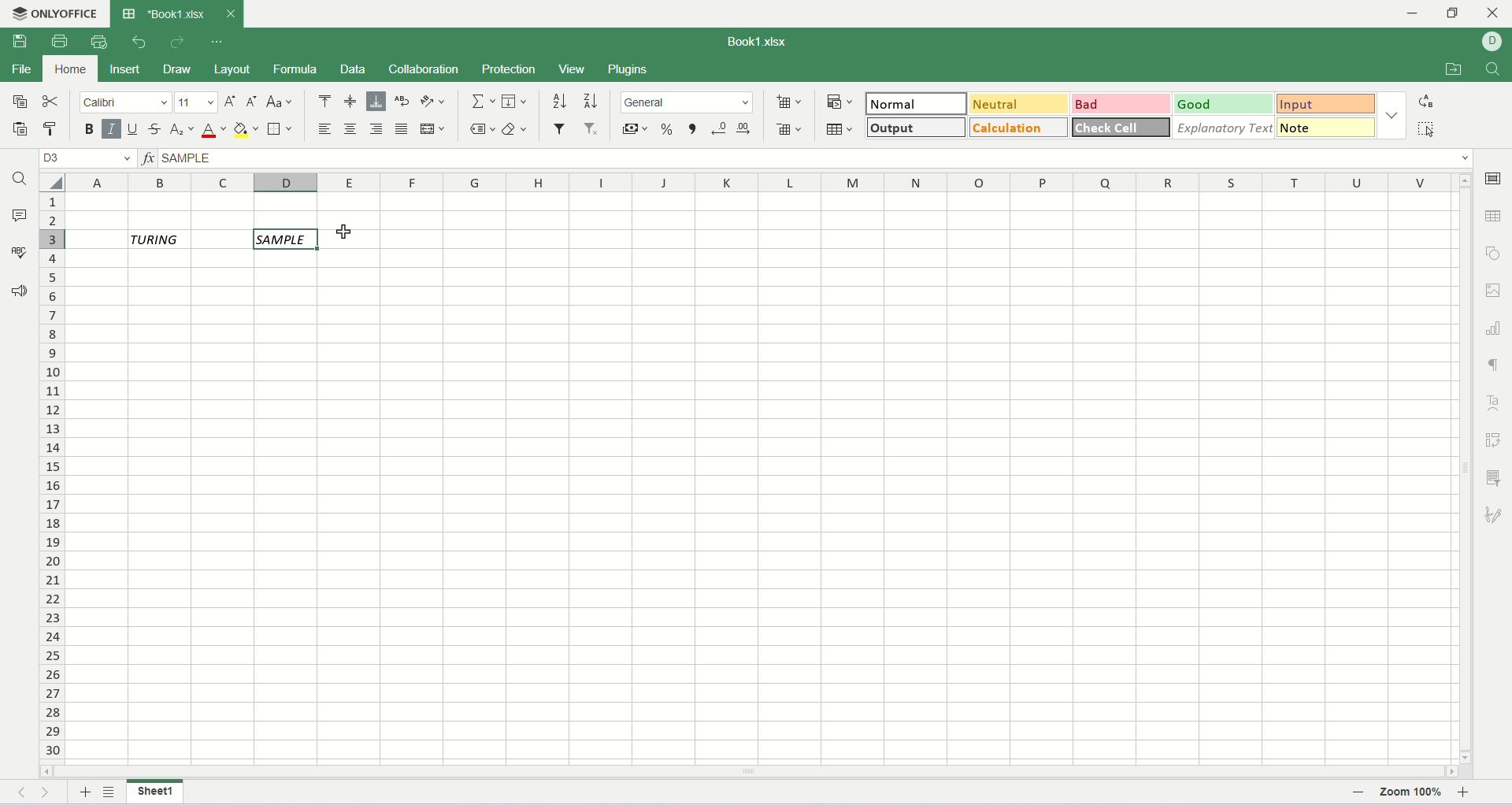 This screenshot has height=805, width=1512. I want to click on redo, so click(176, 43).